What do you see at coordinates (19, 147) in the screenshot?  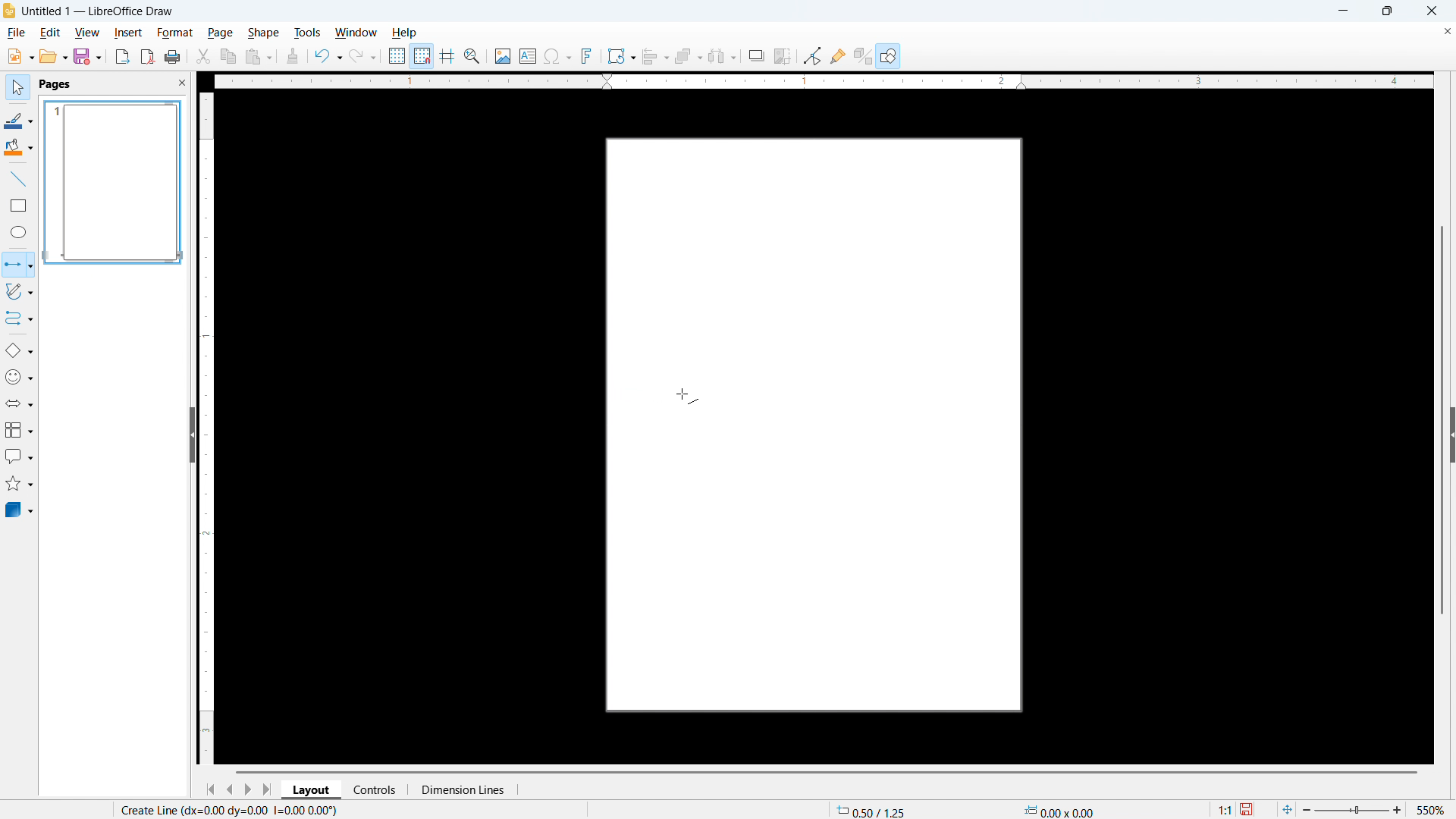 I see `Background colour ` at bounding box center [19, 147].